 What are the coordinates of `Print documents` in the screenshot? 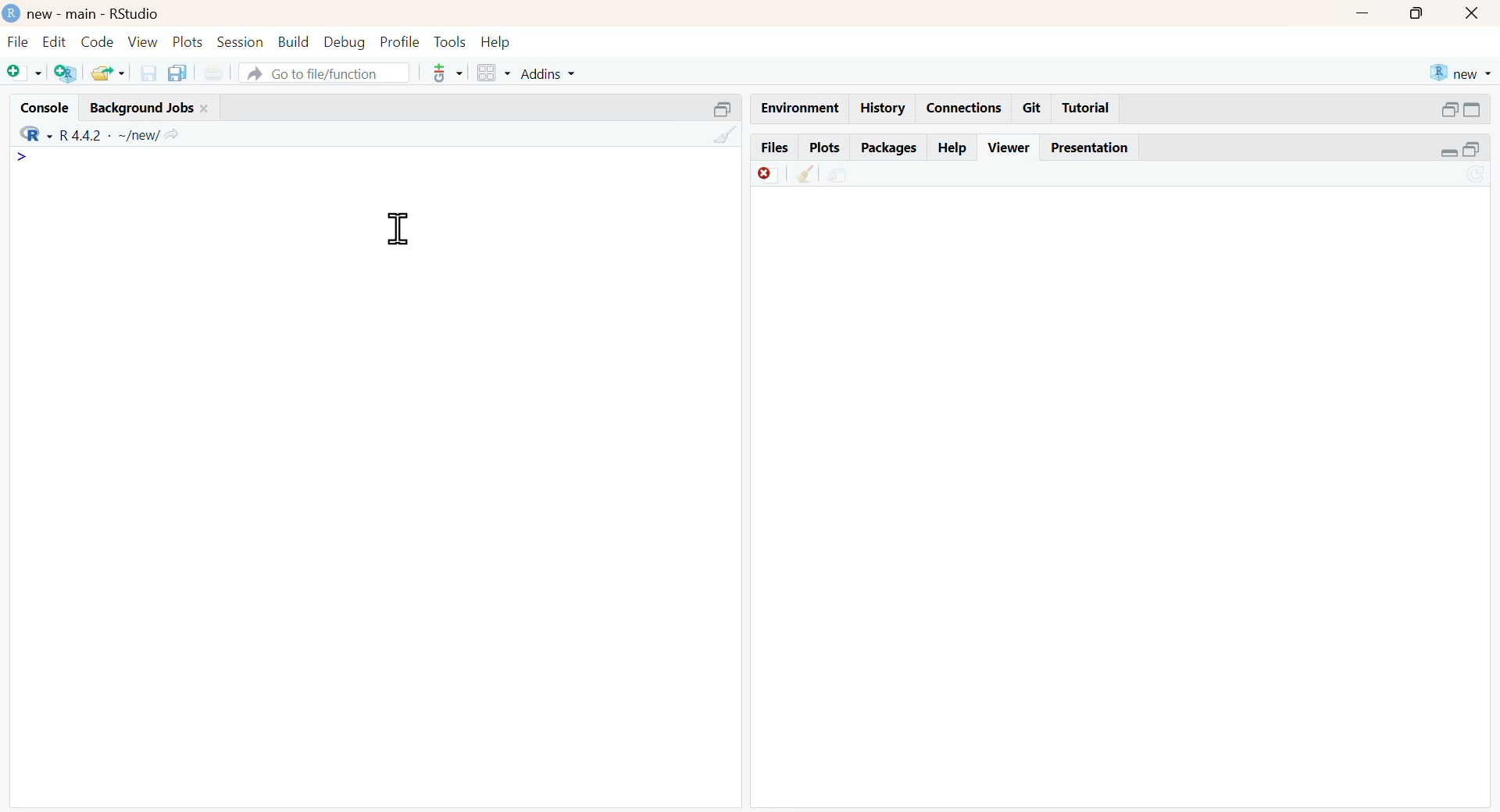 It's located at (217, 69).